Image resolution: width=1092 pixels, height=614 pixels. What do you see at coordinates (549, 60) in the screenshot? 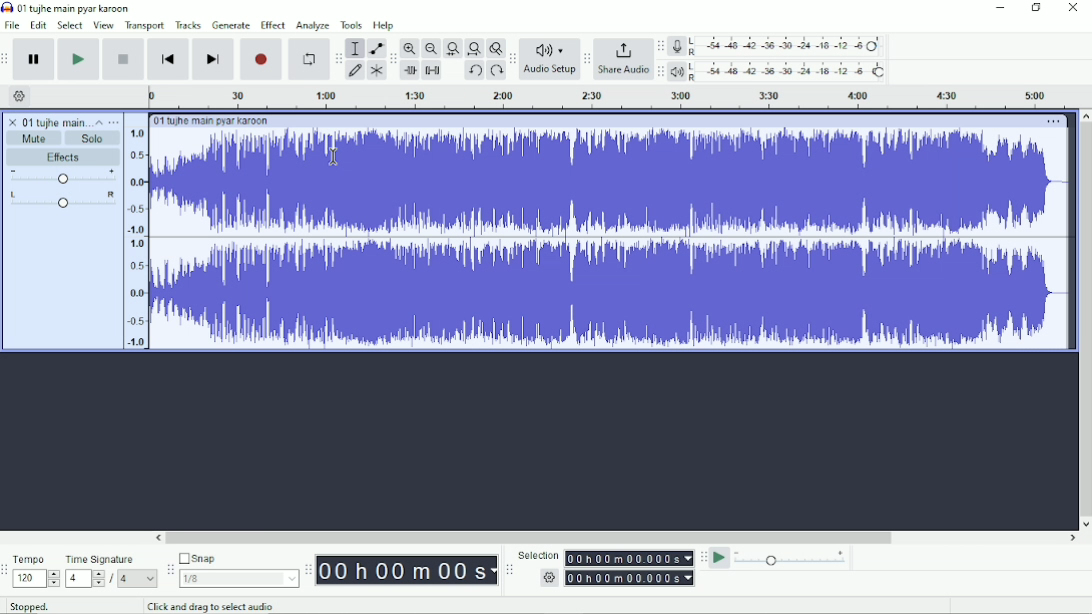
I see `Audio Setup` at bounding box center [549, 60].